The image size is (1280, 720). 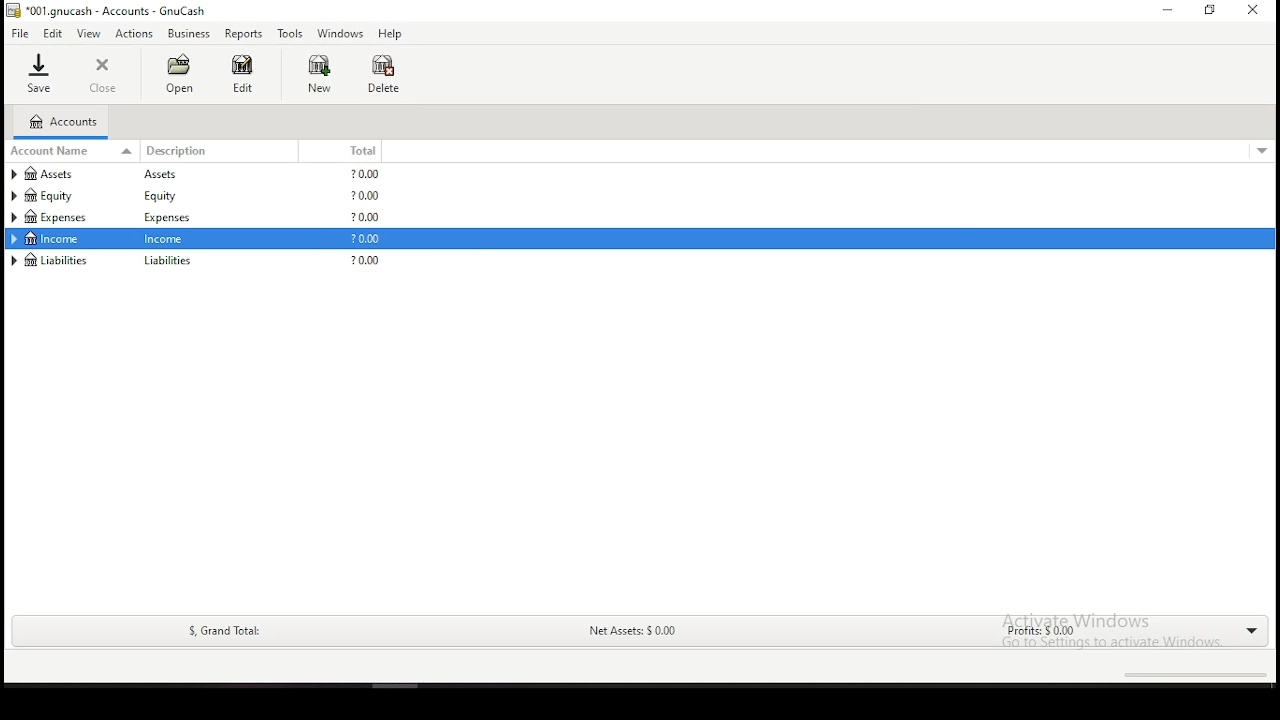 I want to click on descrtiption, so click(x=224, y=151).